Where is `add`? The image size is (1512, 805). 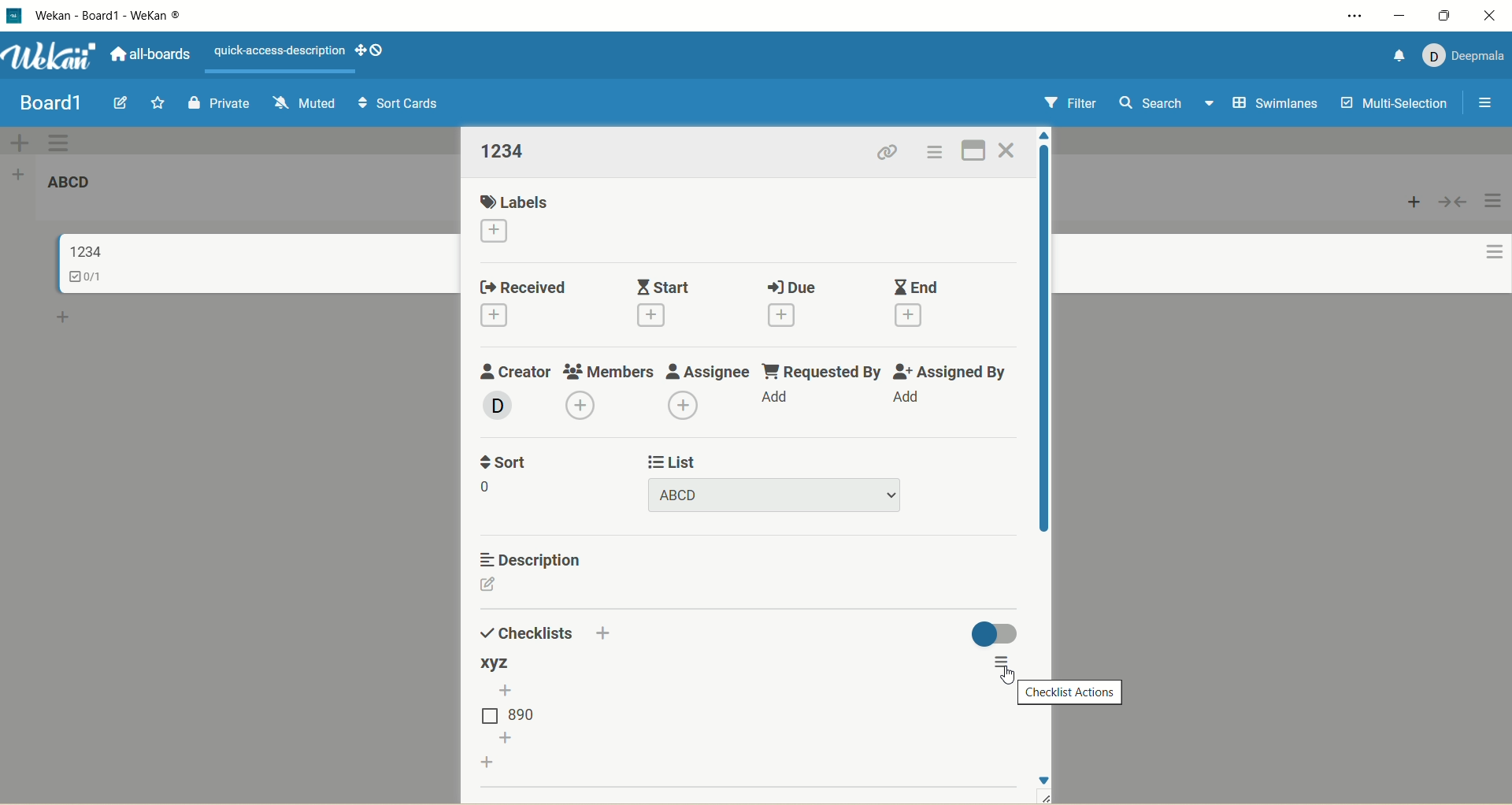
add is located at coordinates (690, 406).